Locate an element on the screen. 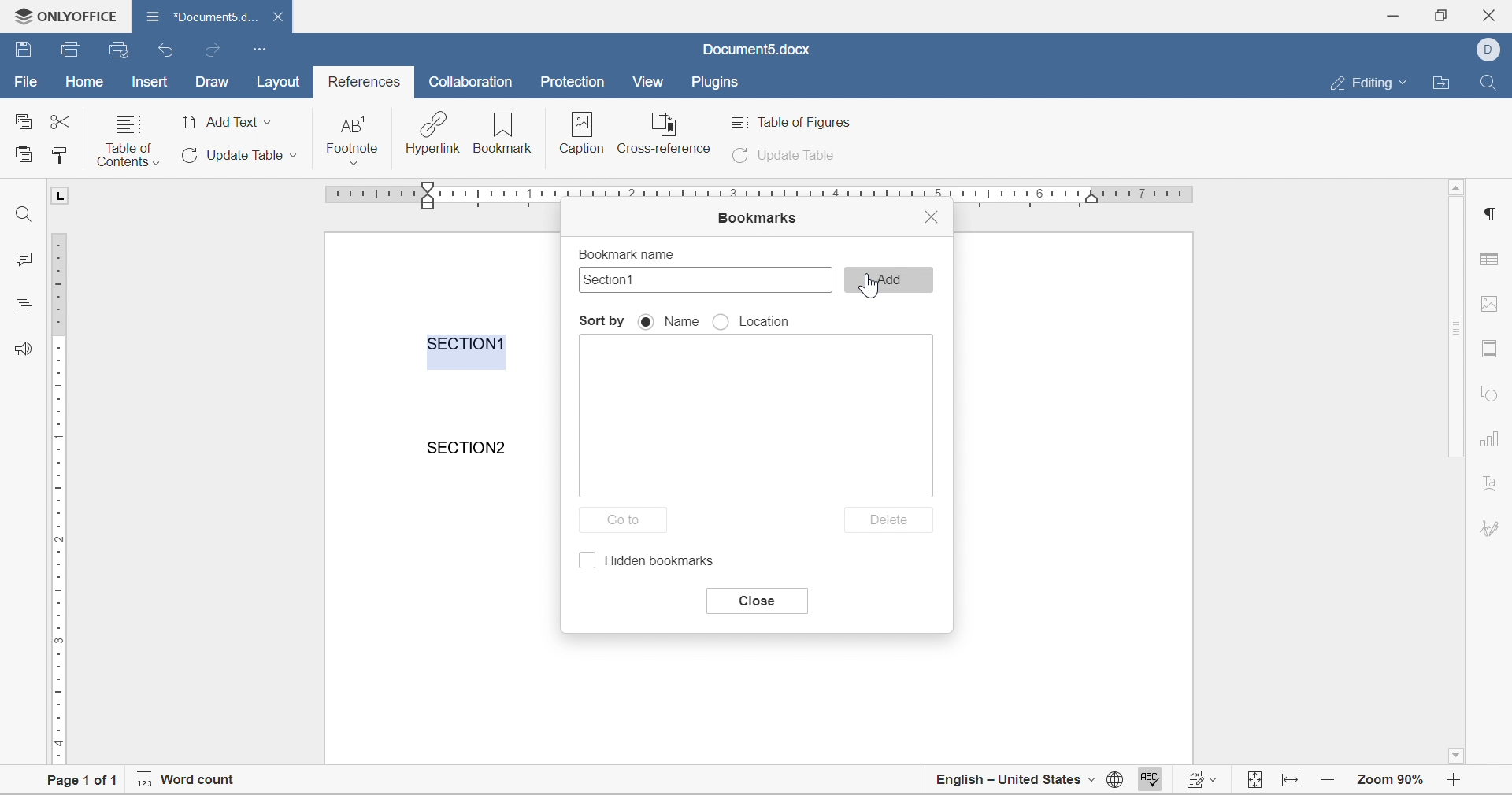 This screenshot has width=1512, height=795. shape settings is located at coordinates (1488, 393).